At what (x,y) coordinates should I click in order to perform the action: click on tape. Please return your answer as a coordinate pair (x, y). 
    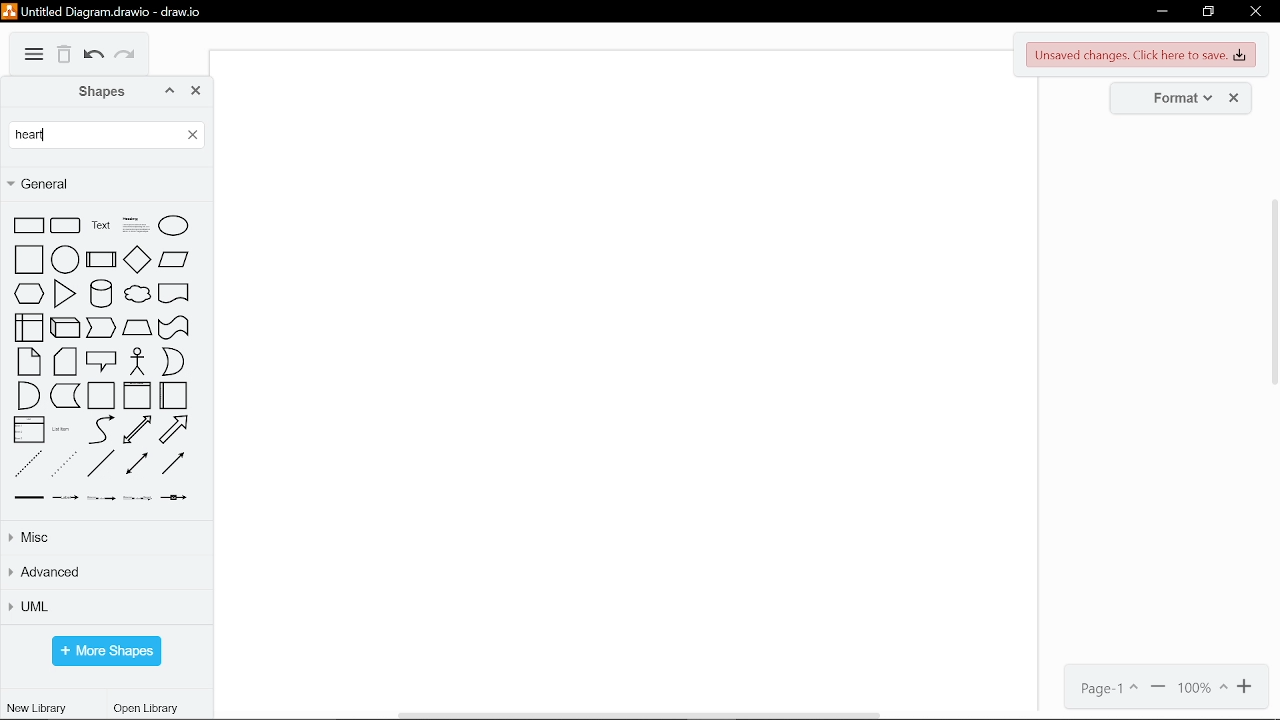
    Looking at the image, I should click on (174, 328).